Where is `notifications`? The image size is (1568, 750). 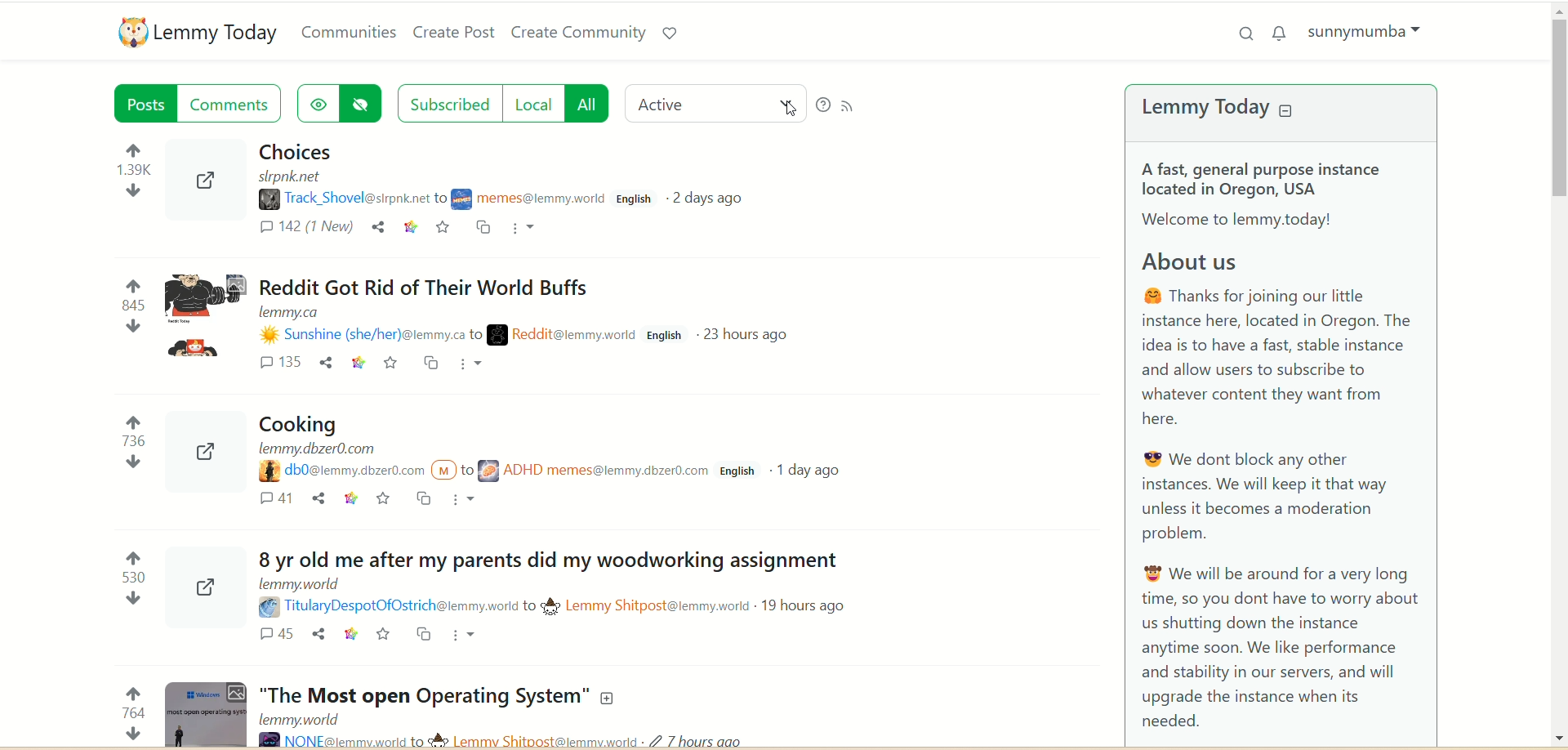 notifications is located at coordinates (1283, 32).